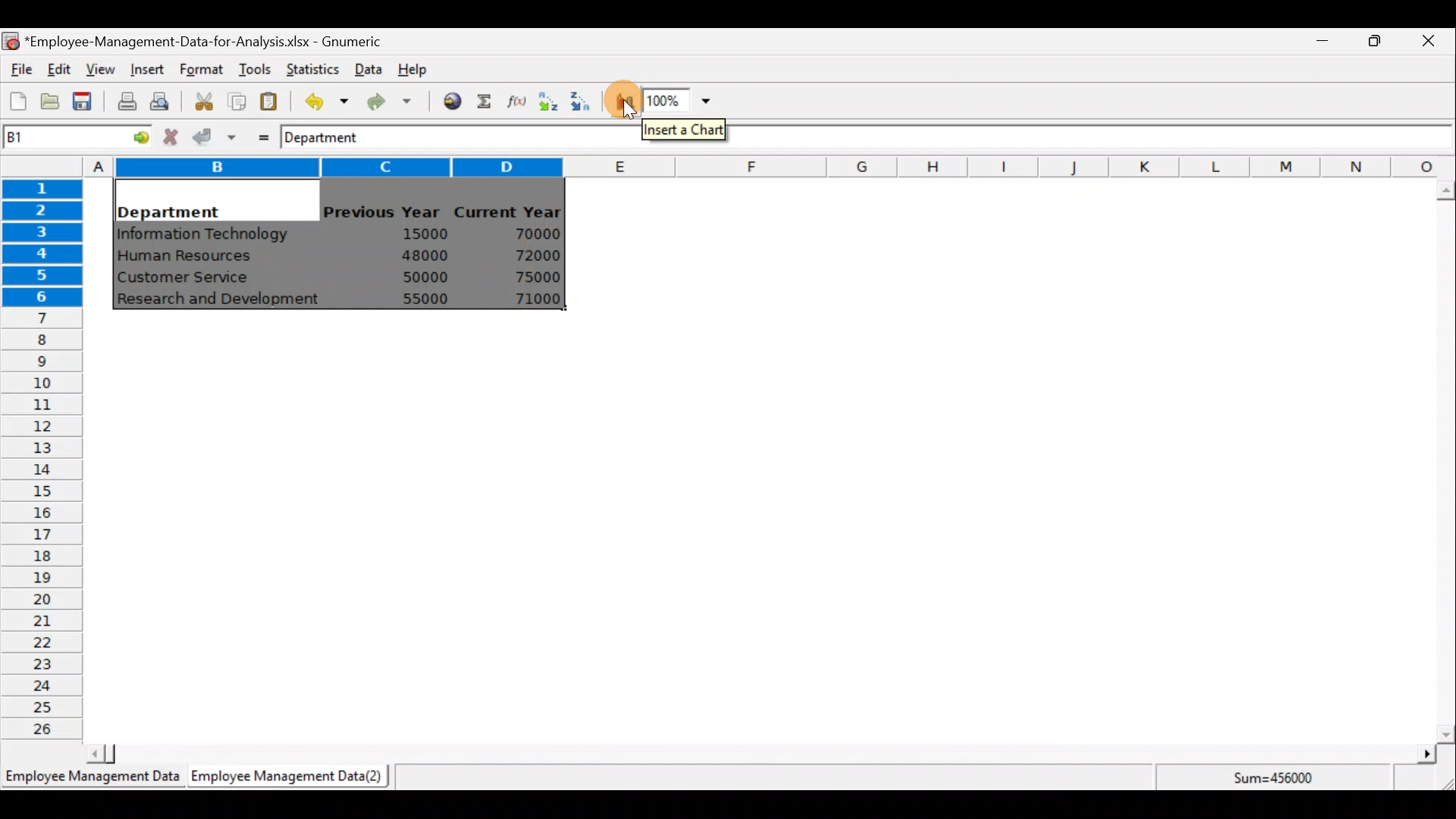 The height and width of the screenshot is (819, 1456). What do you see at coordinates (426, 299) in the screenshot?
I see `55000` at bounding box center [426, 299].